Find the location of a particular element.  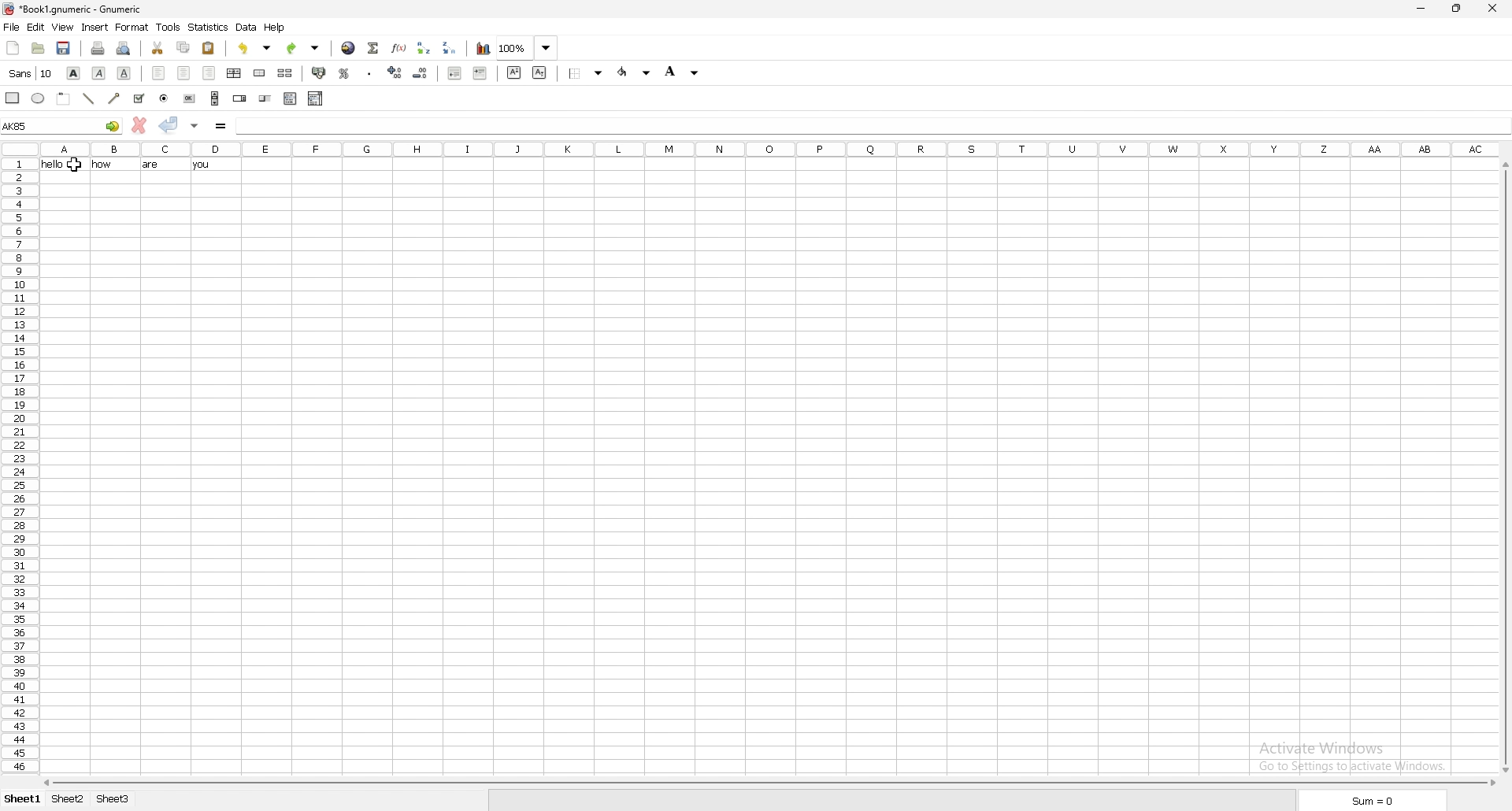

selected cell is located at coordinates (61, 125).